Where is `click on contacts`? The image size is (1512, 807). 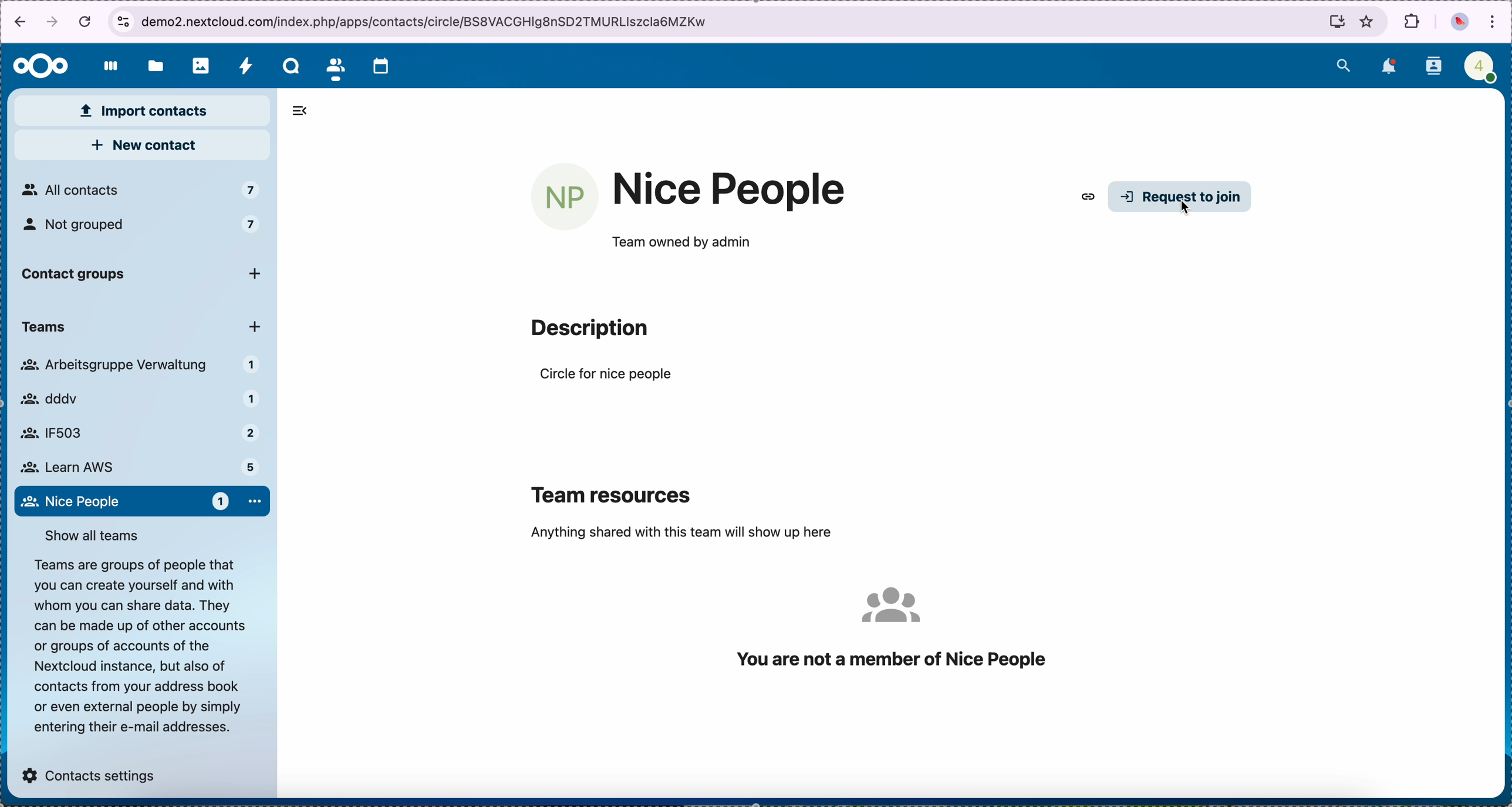
click on contacts is located at coordinates (335, 66).